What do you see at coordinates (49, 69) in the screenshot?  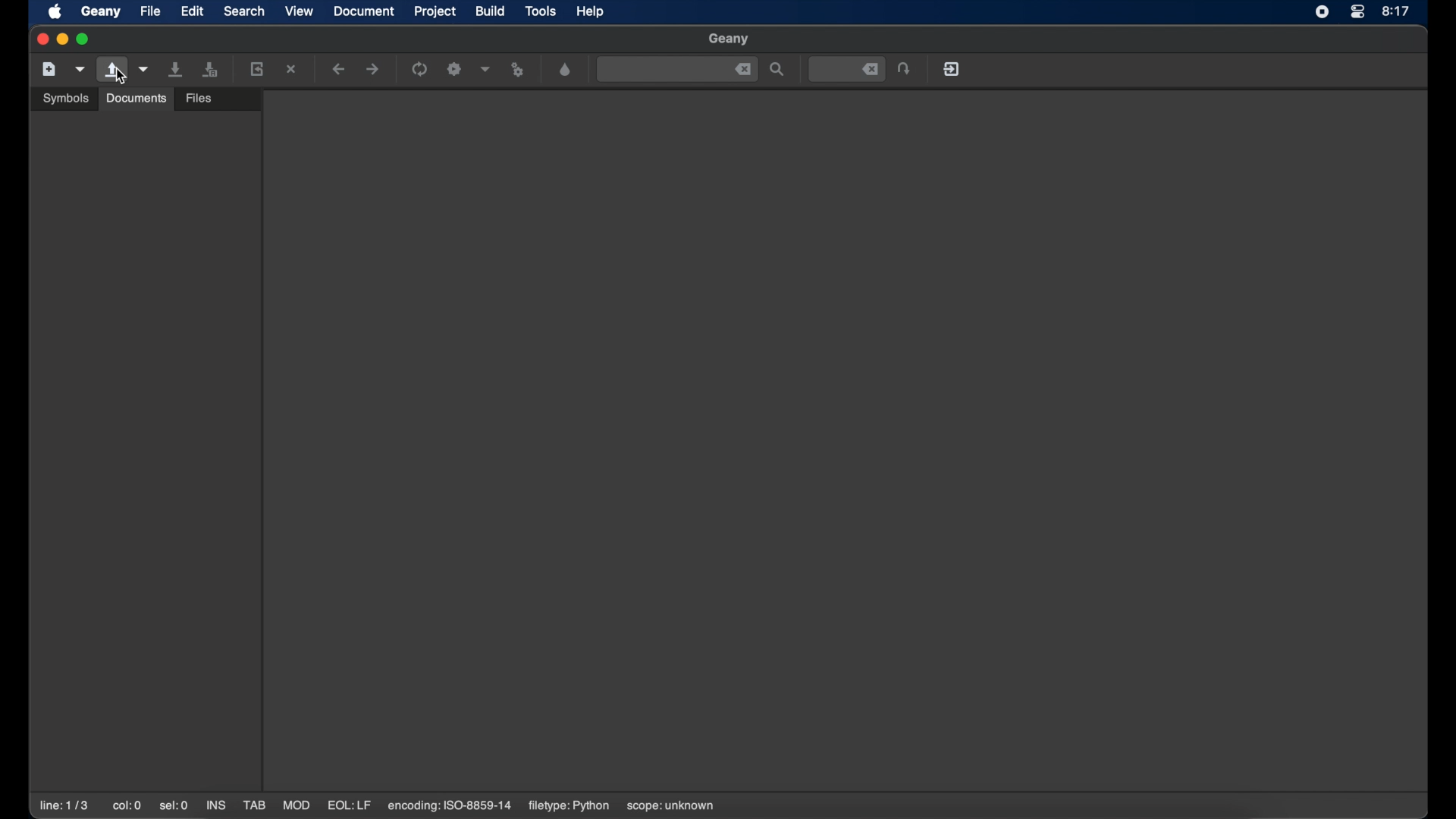 I see `create a new file` at bounding box center [49, 69].